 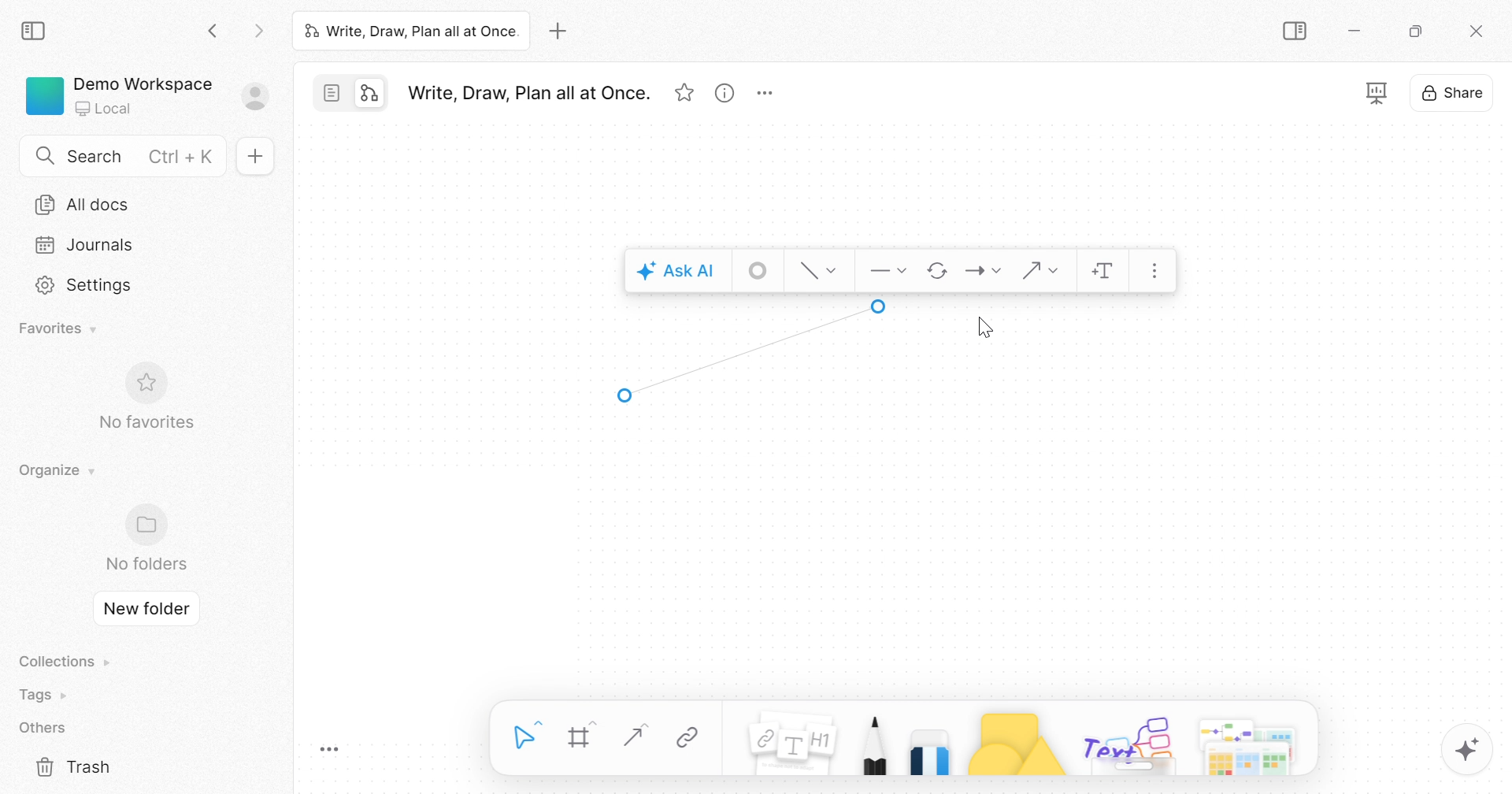 I want to click on No folders, so click(x=146, y=563).